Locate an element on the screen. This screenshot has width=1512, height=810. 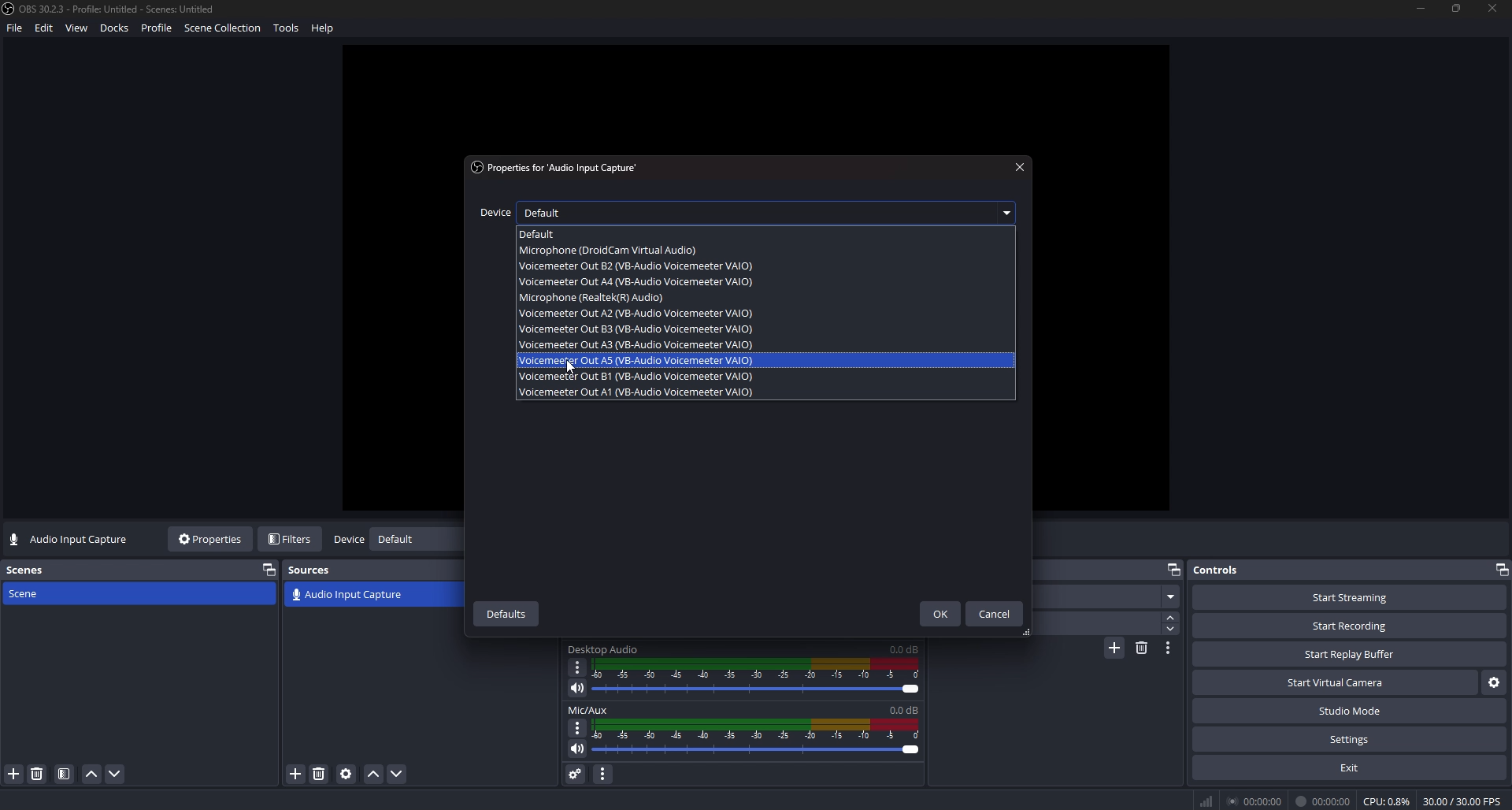
no source selected is located at coordinates (70, 540).